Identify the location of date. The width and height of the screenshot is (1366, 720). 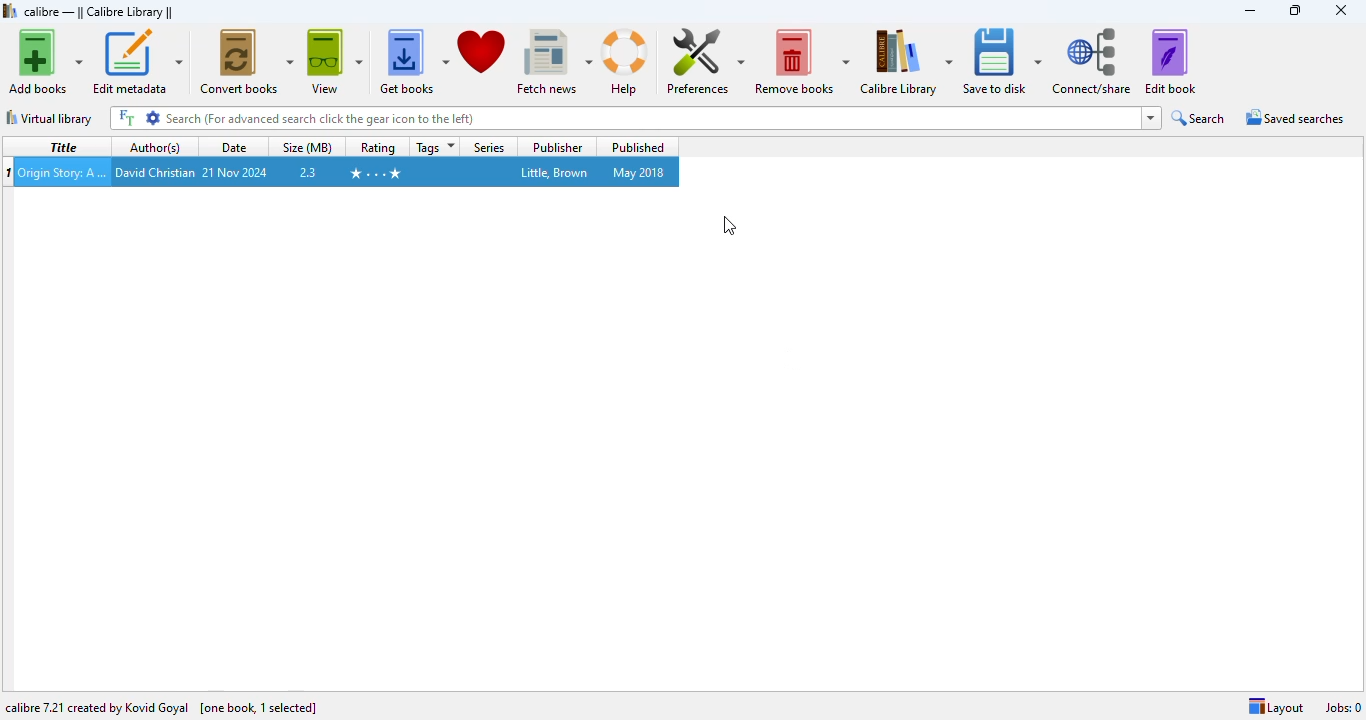
(233, 146).